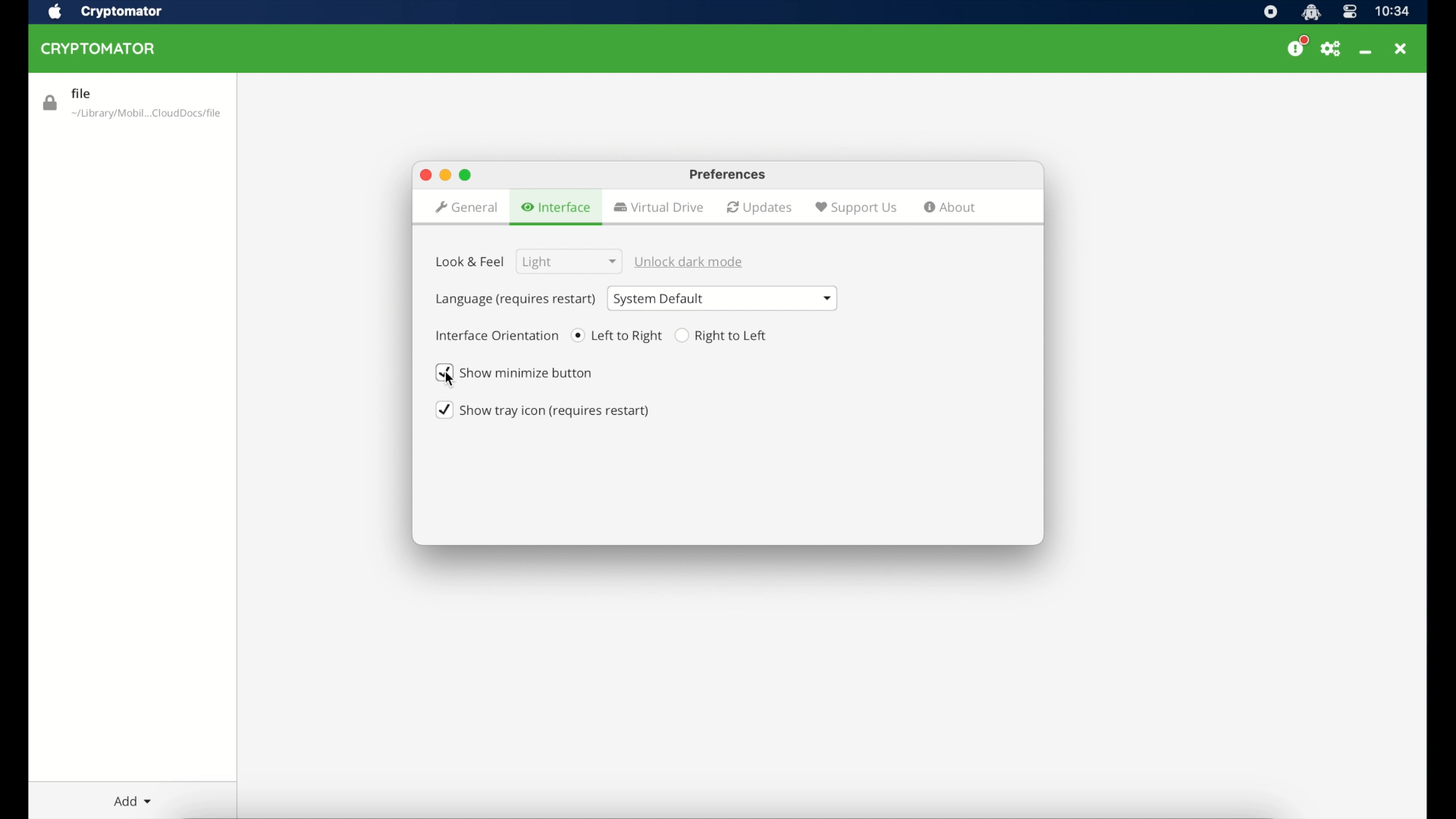  What do you see at coordinates (445, 373) in the screenshot?
I see `check mark` at bounding box center [445, 373].